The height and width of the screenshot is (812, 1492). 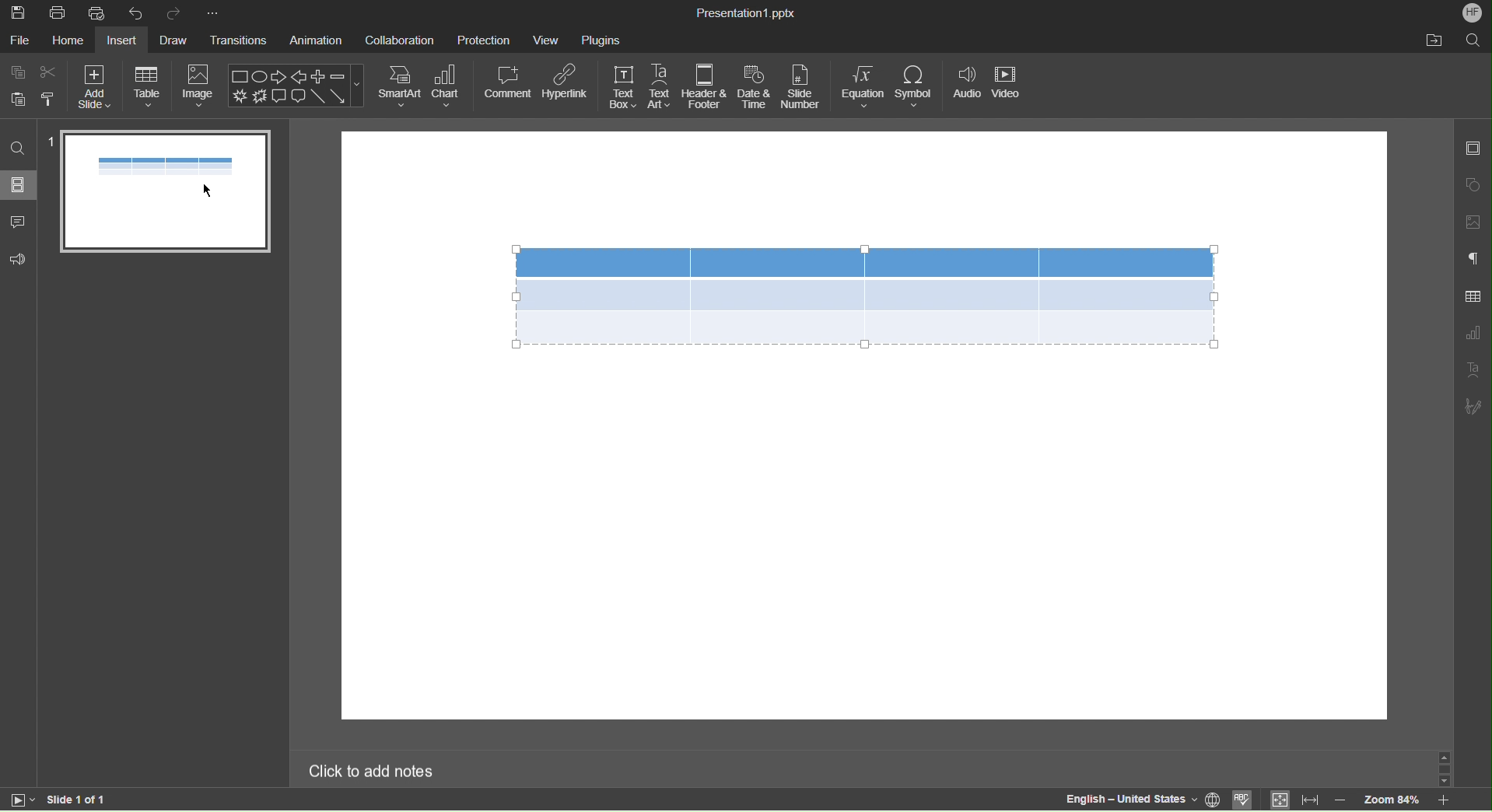 What do you see at coordinates (20, 42) in the screenshot?
I see `File` at bounding box center [20, 42].